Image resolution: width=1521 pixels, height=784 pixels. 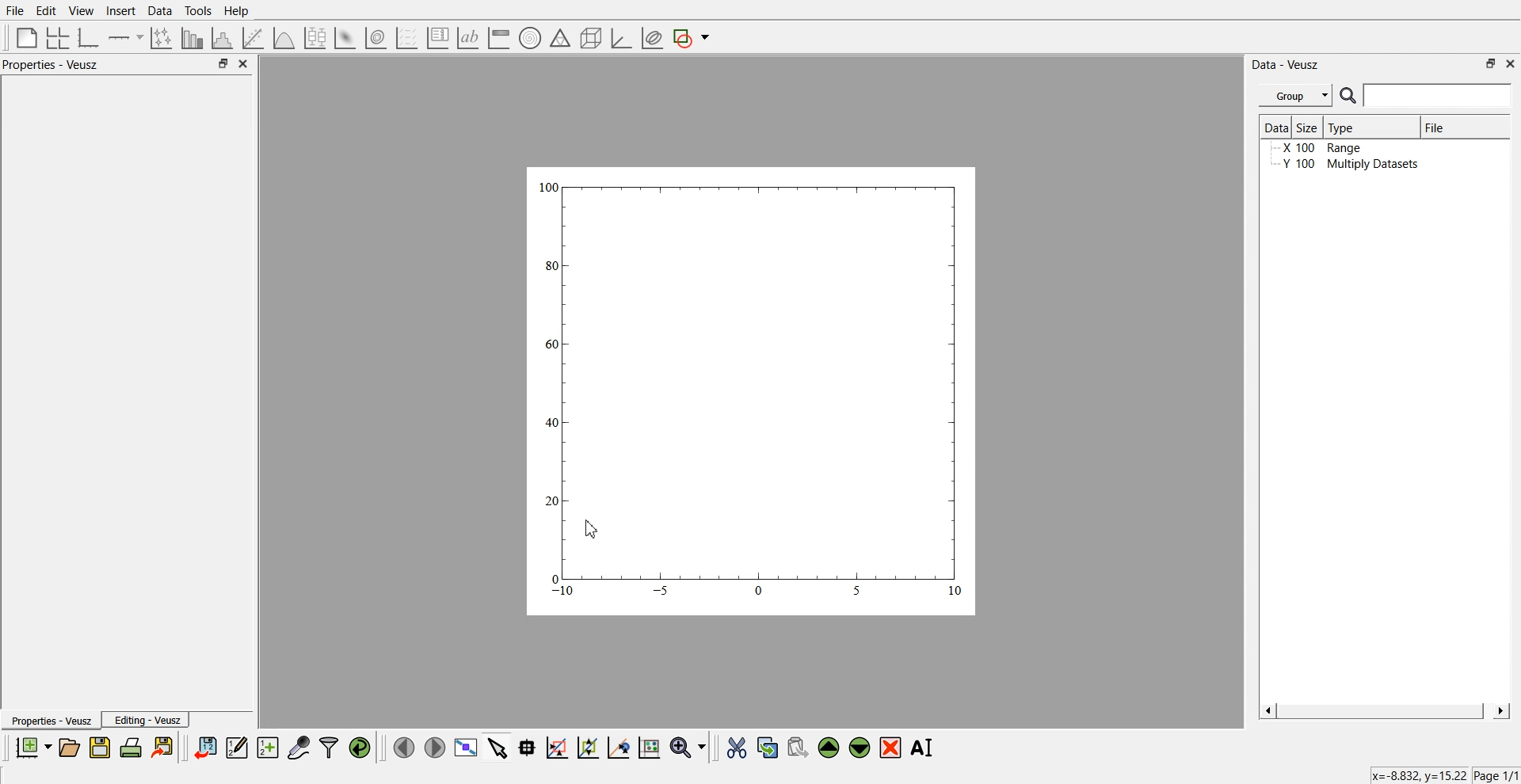 I want to click on view plot full screen, so click(x=465, y=748).